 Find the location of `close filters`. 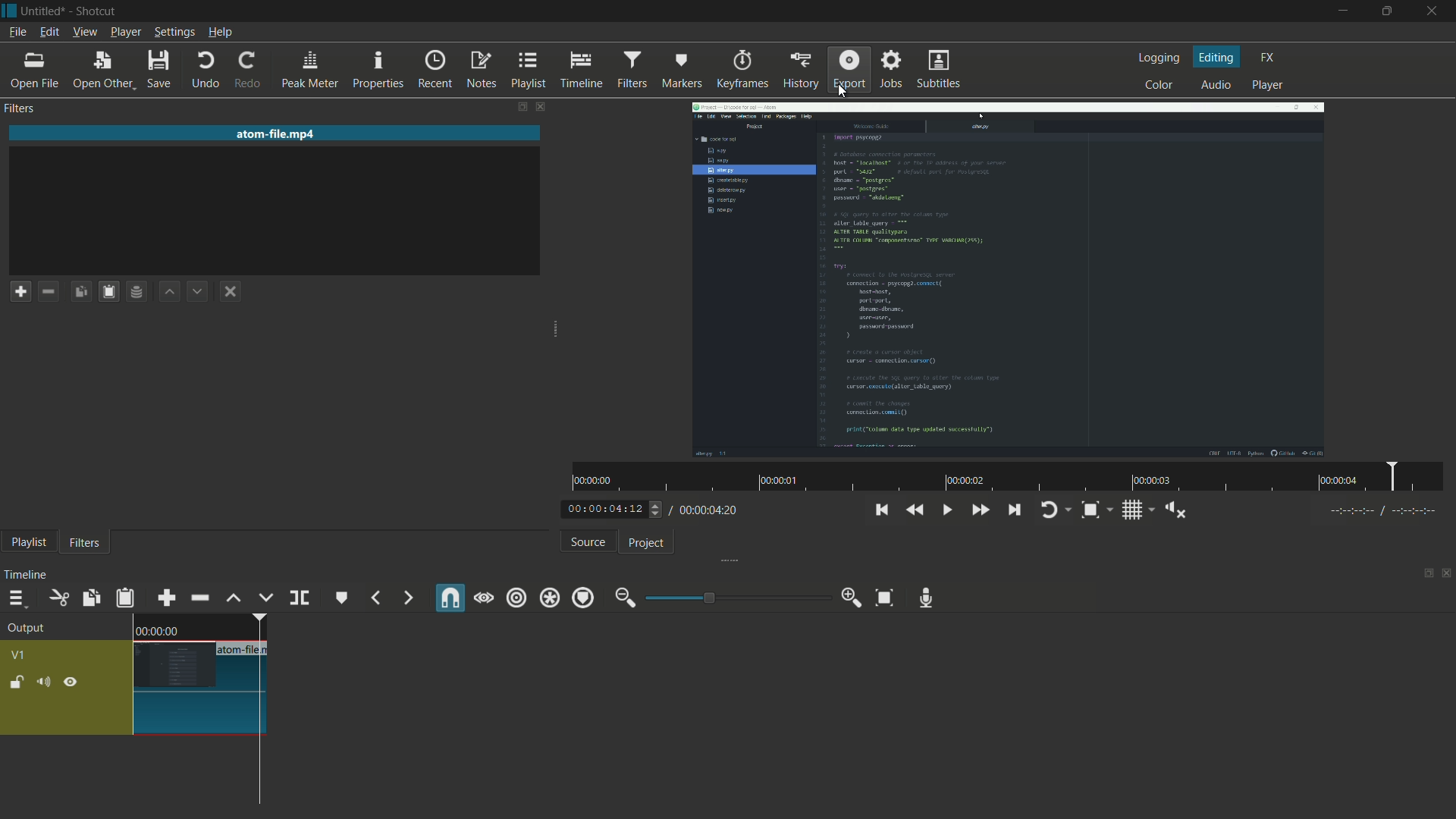

close filters is located at coordinates (542, 106).